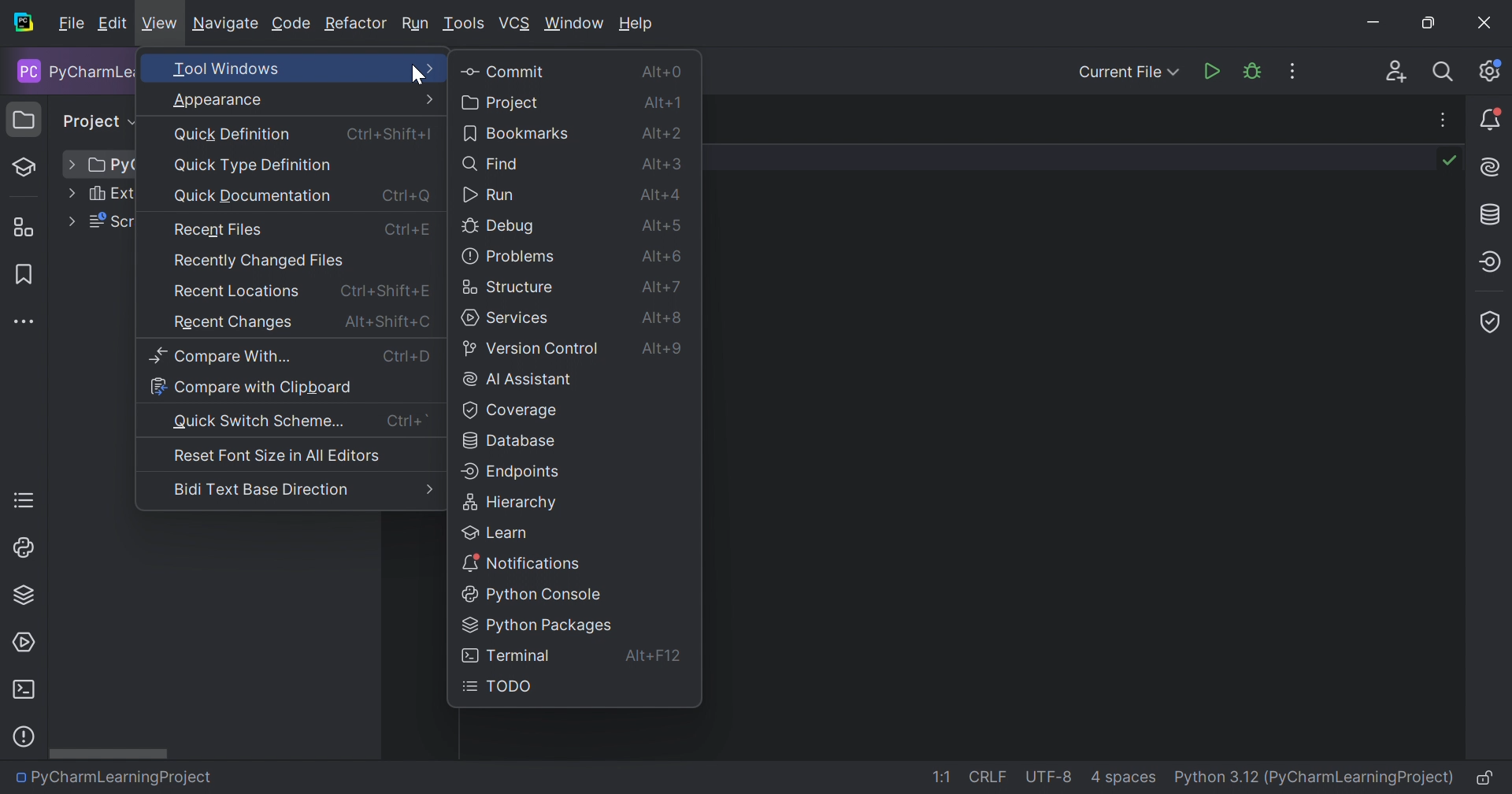 The image size is (1512, 794). I want to click on Alt+4, so click(658, 195).